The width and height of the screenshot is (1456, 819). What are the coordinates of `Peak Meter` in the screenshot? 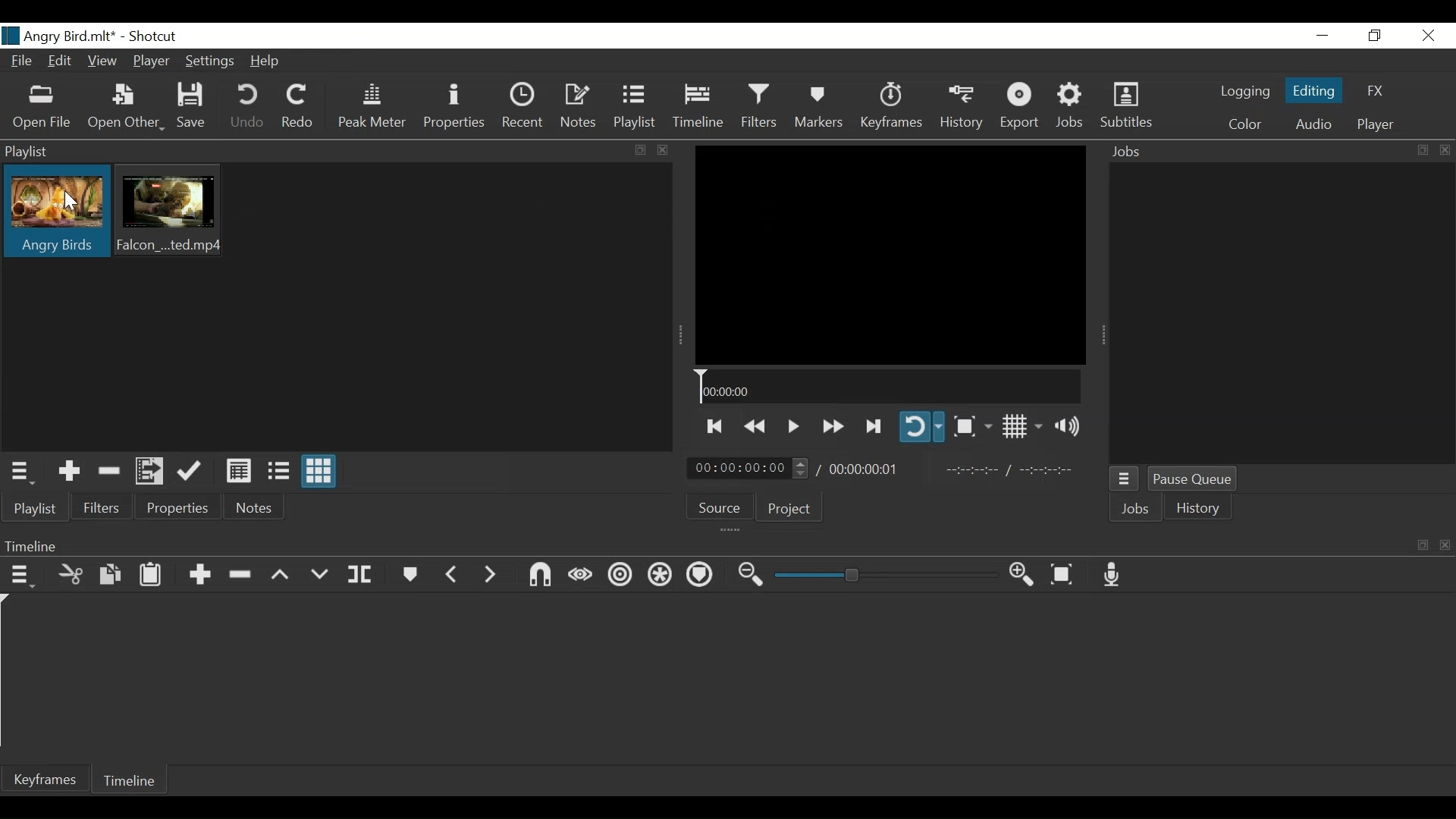 It's located at (372, 108).